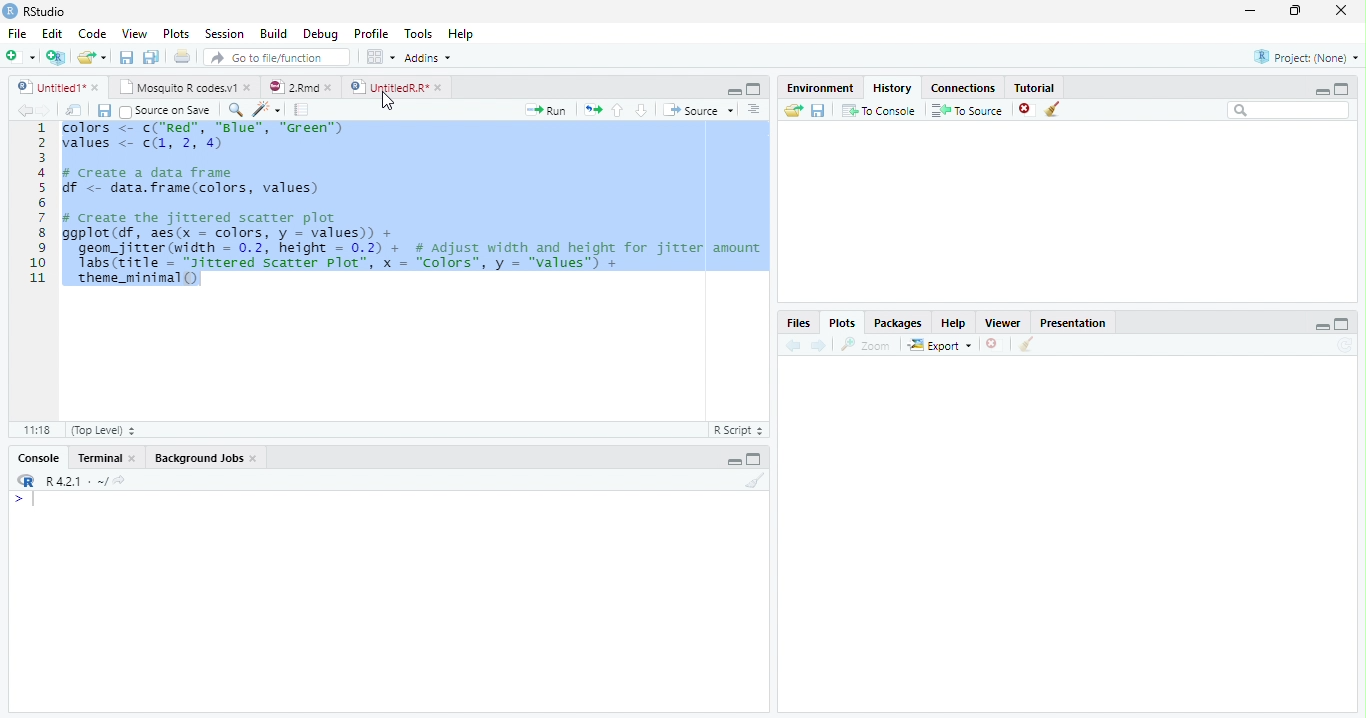 This screenshot has height=718, width=1366. What do you see at coordinates (52, 34) in the screenshot?
I see `Edit` at bounding box center [52, 34].